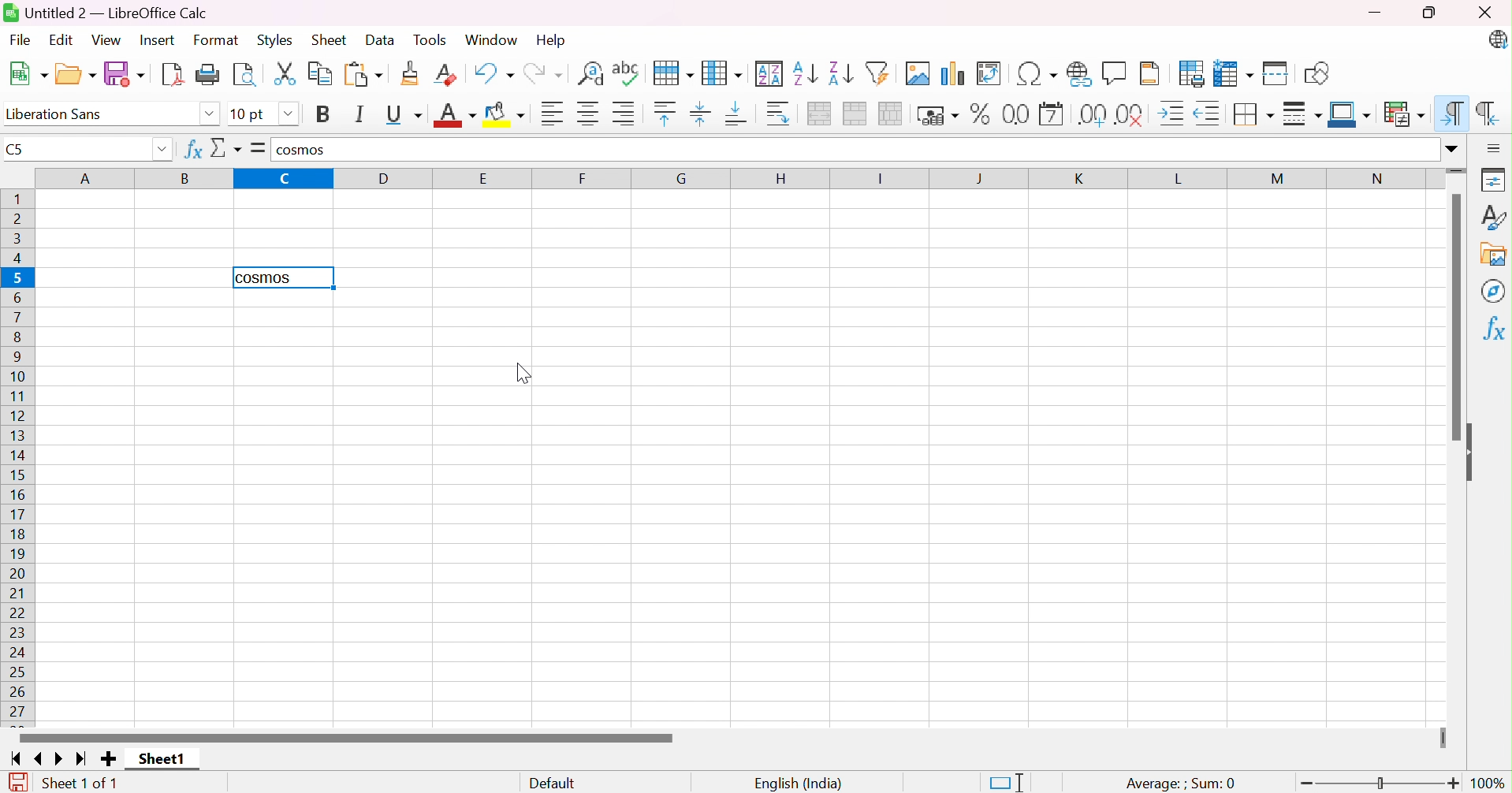  Describe the element at coordinates (455, 116) in the screenshot. I see `Font Color` at that location.